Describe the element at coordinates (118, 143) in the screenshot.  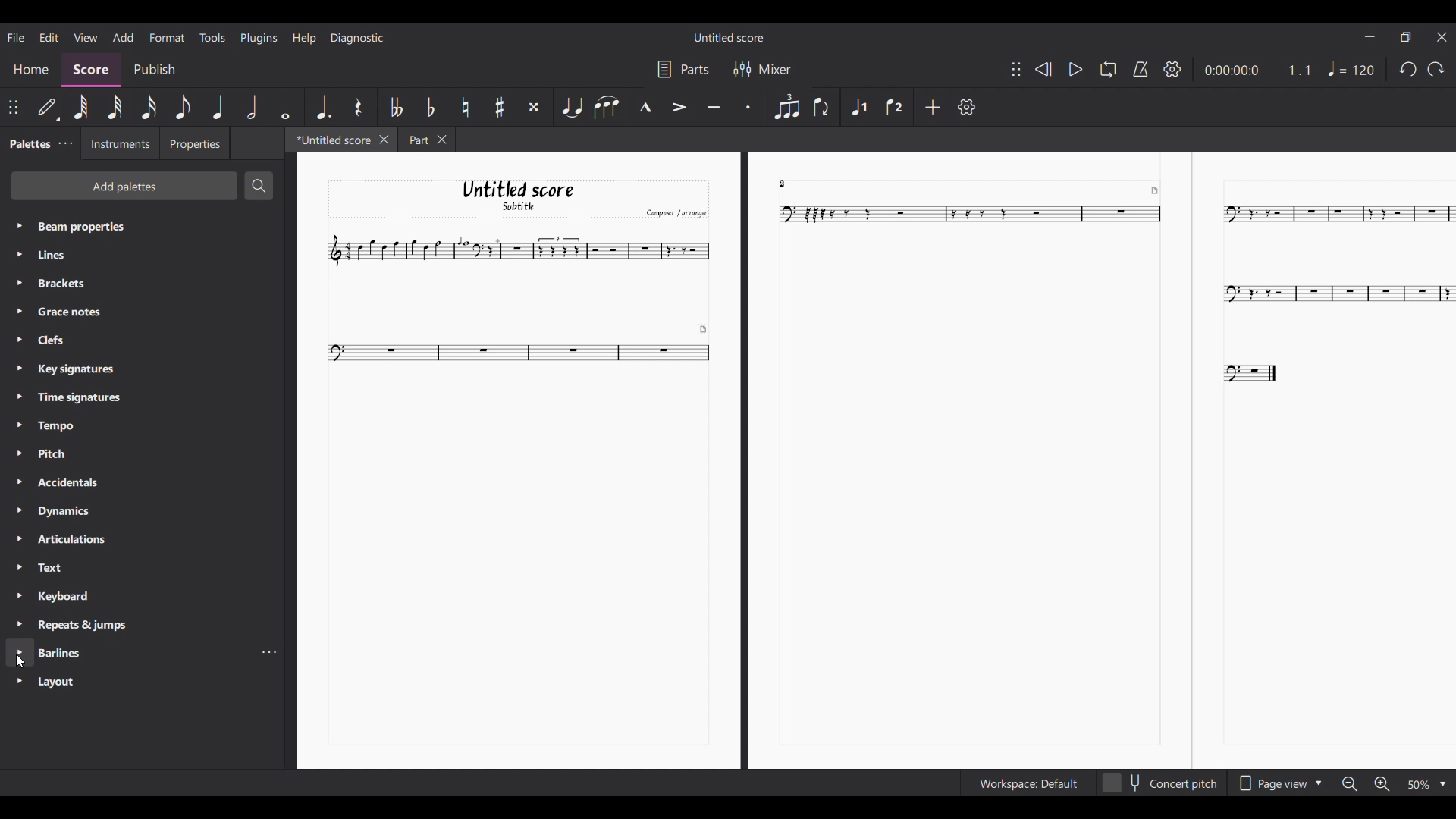
I see `Instruments tab` at that location.